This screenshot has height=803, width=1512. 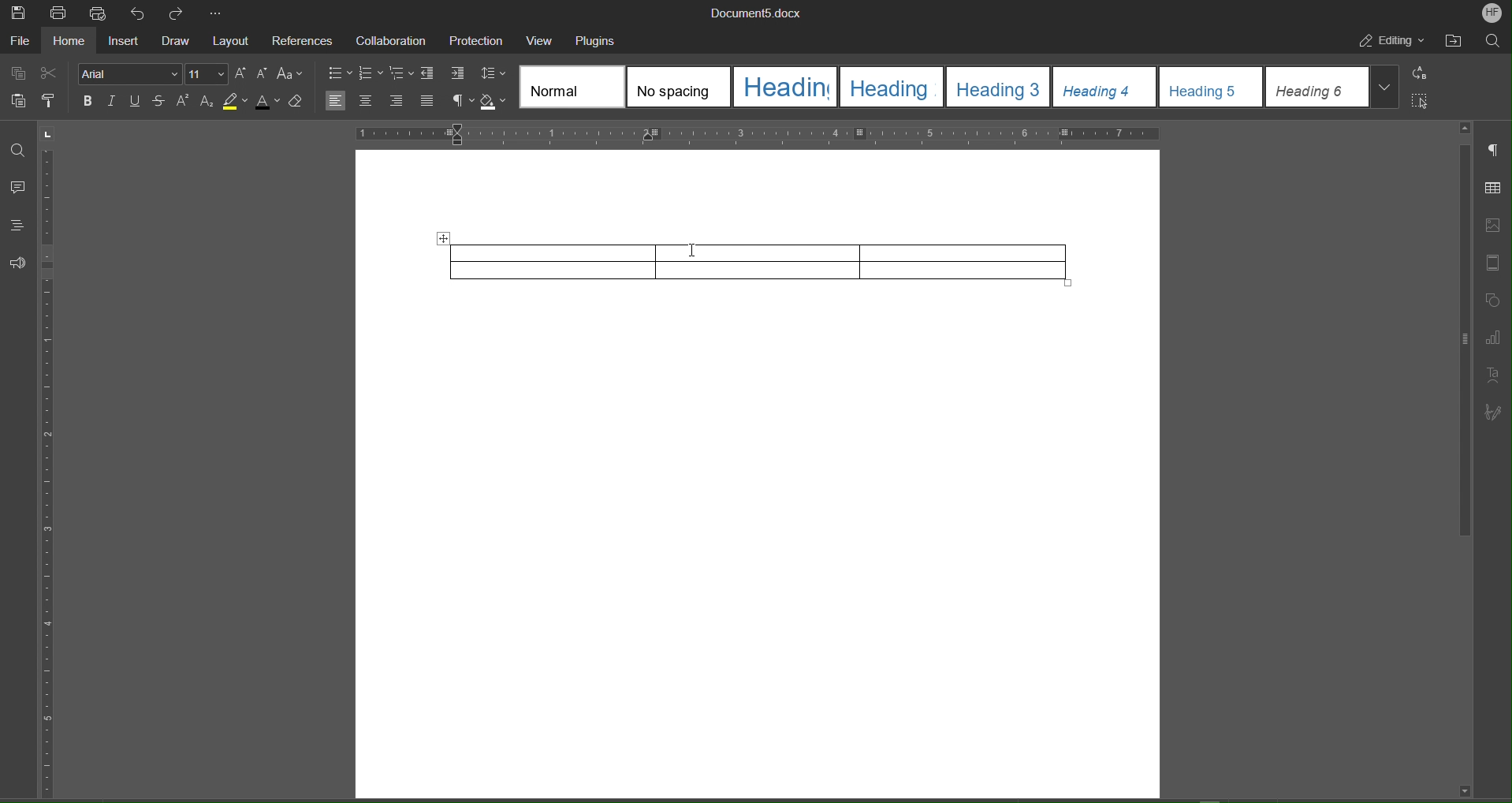 What do you see at coordinates (19, 189) in the screenshot?
I see `Comment` at bounding box center [19, 189].